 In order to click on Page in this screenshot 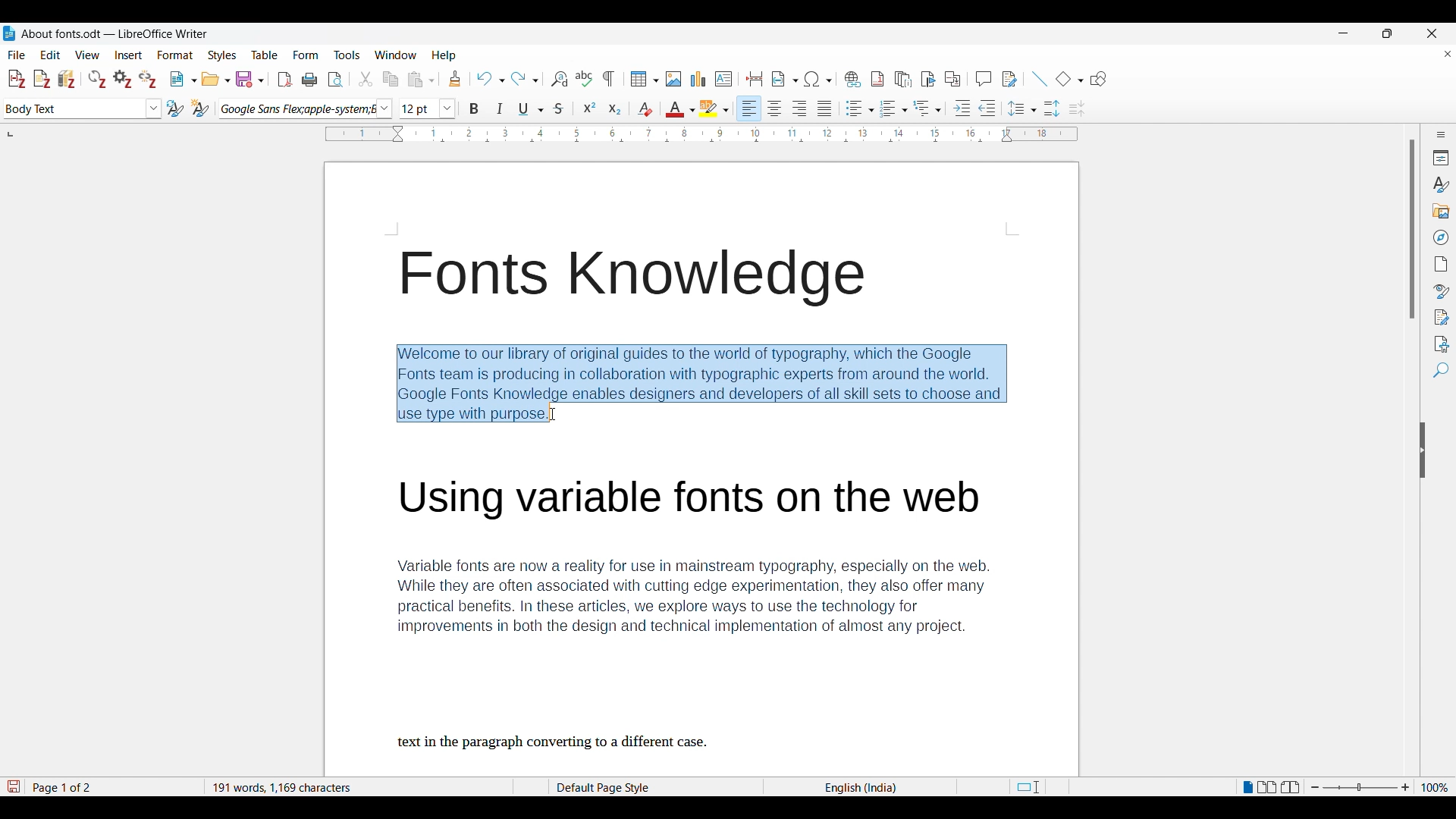, I will do `click(1442, 264)`.